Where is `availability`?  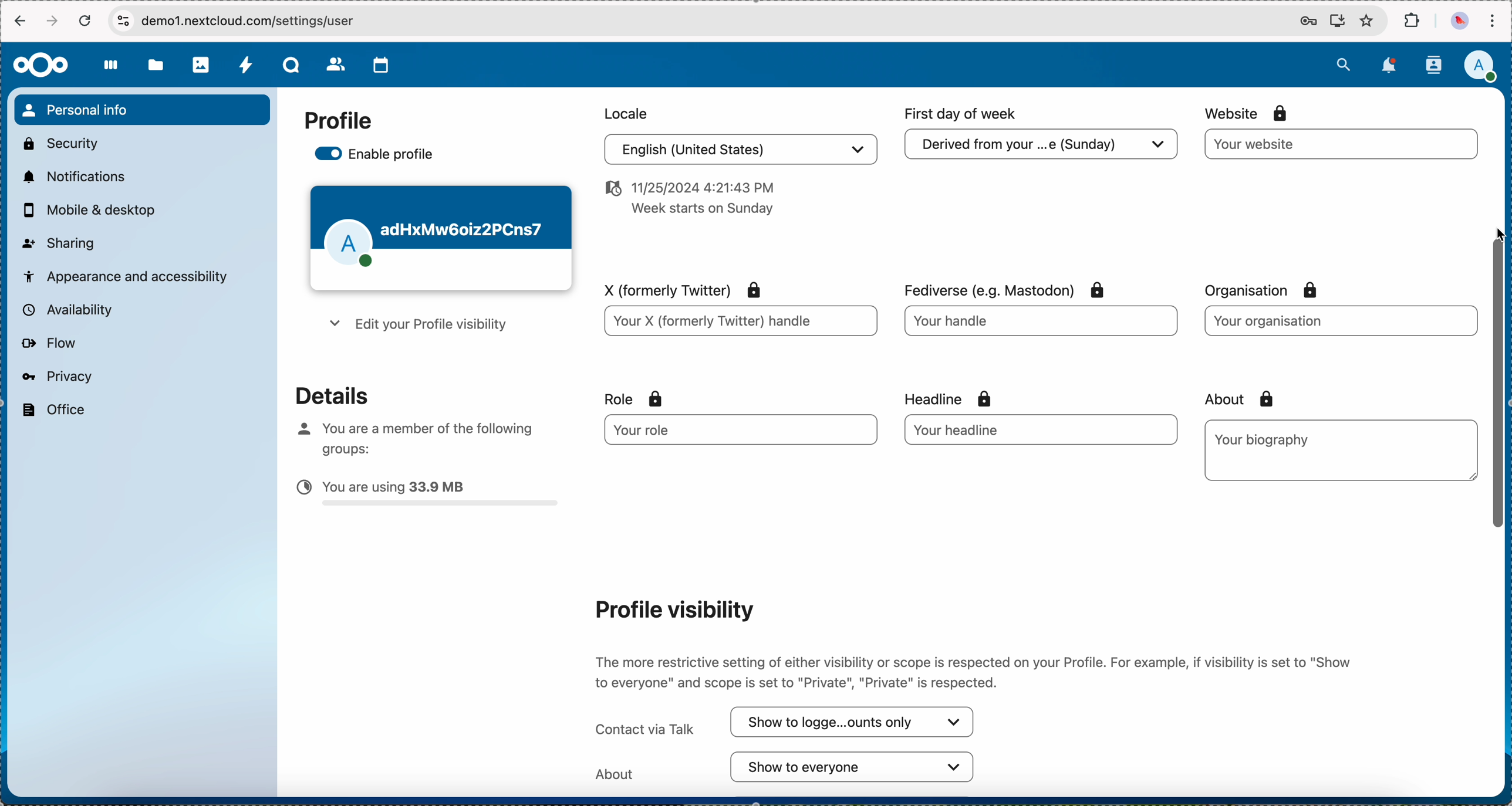
availability is located at coordinates (65, 309).